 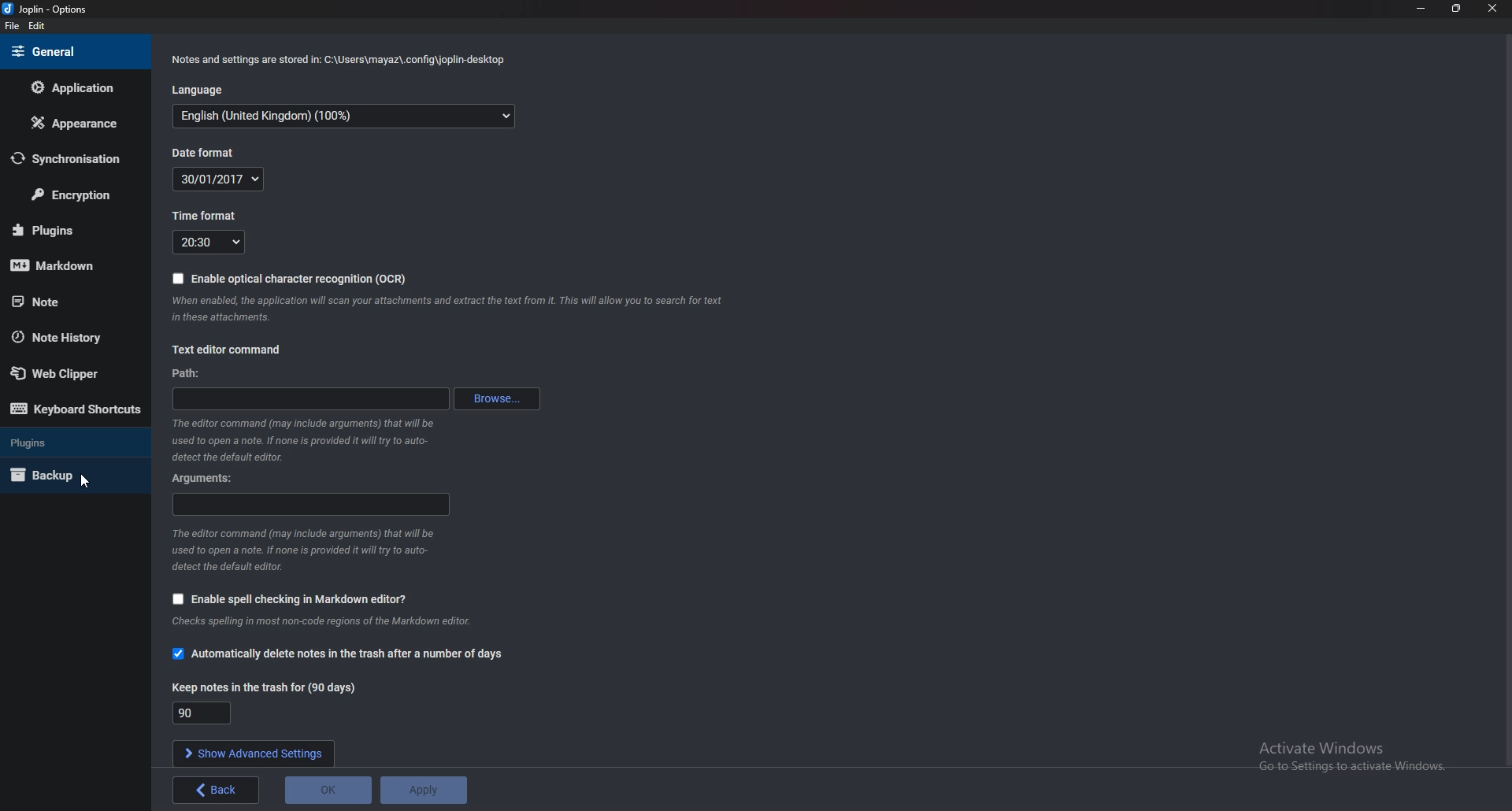 What do you see at coordinates (309, 506) in the screenshot?
I see `Arguments` at bounding box center [309, 506].